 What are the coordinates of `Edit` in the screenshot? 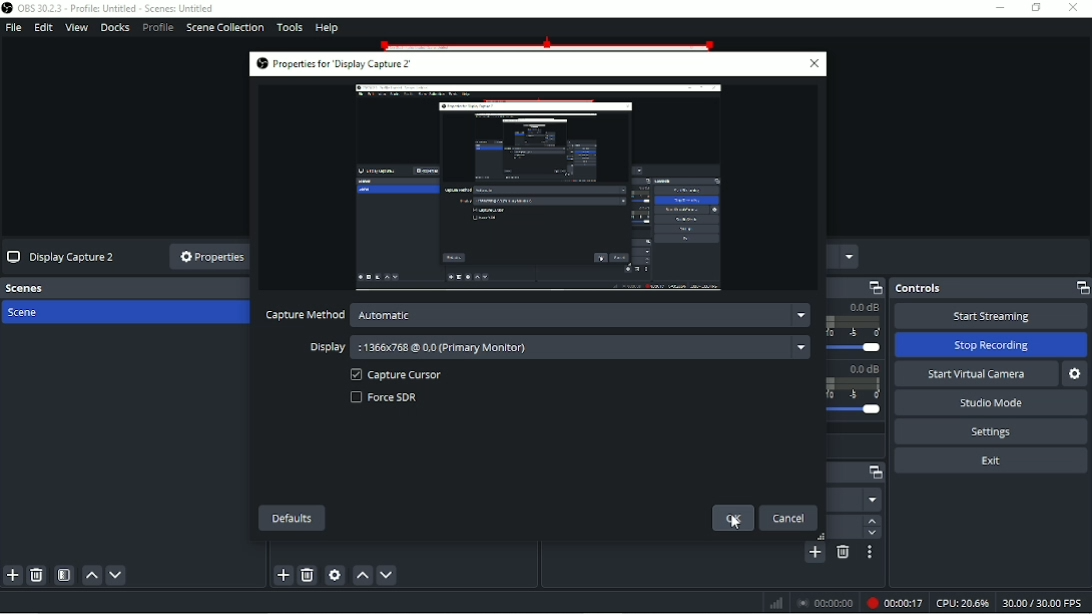 It's located at (43, 27).